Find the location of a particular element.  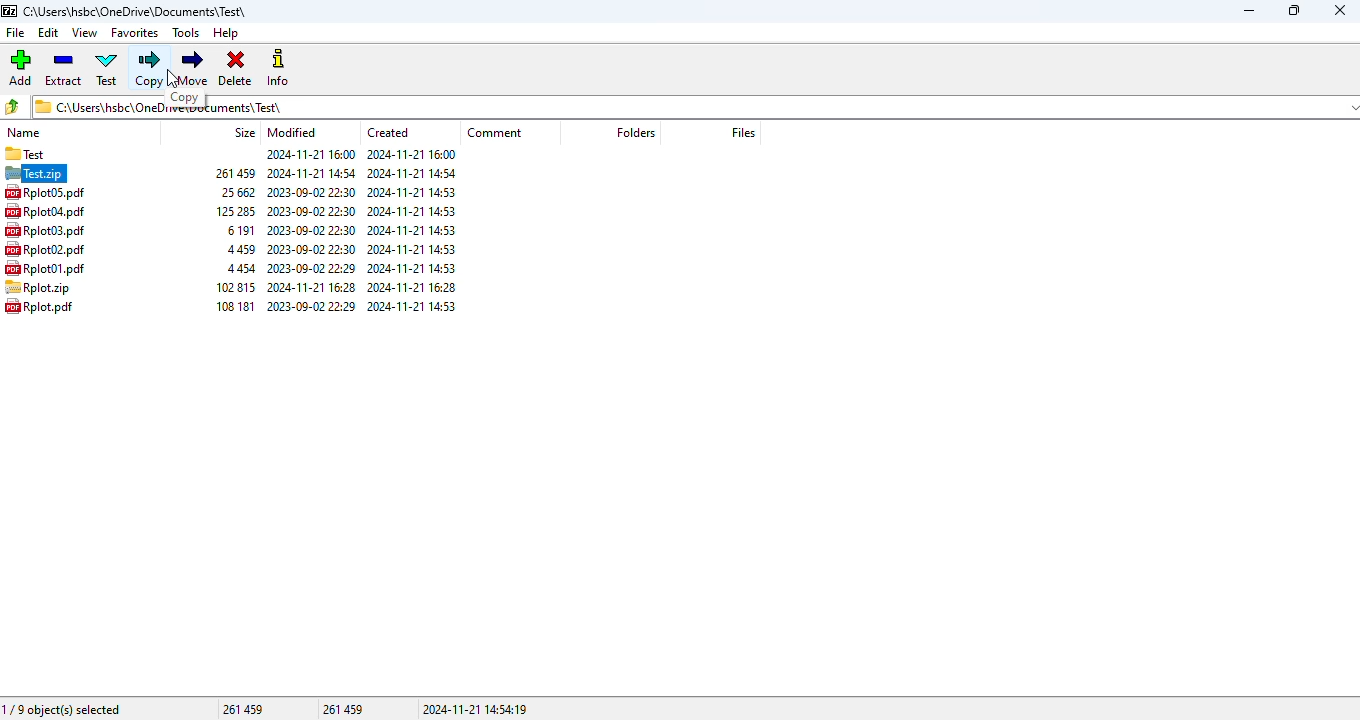

modified date & time is located at coordinates (311, 230).